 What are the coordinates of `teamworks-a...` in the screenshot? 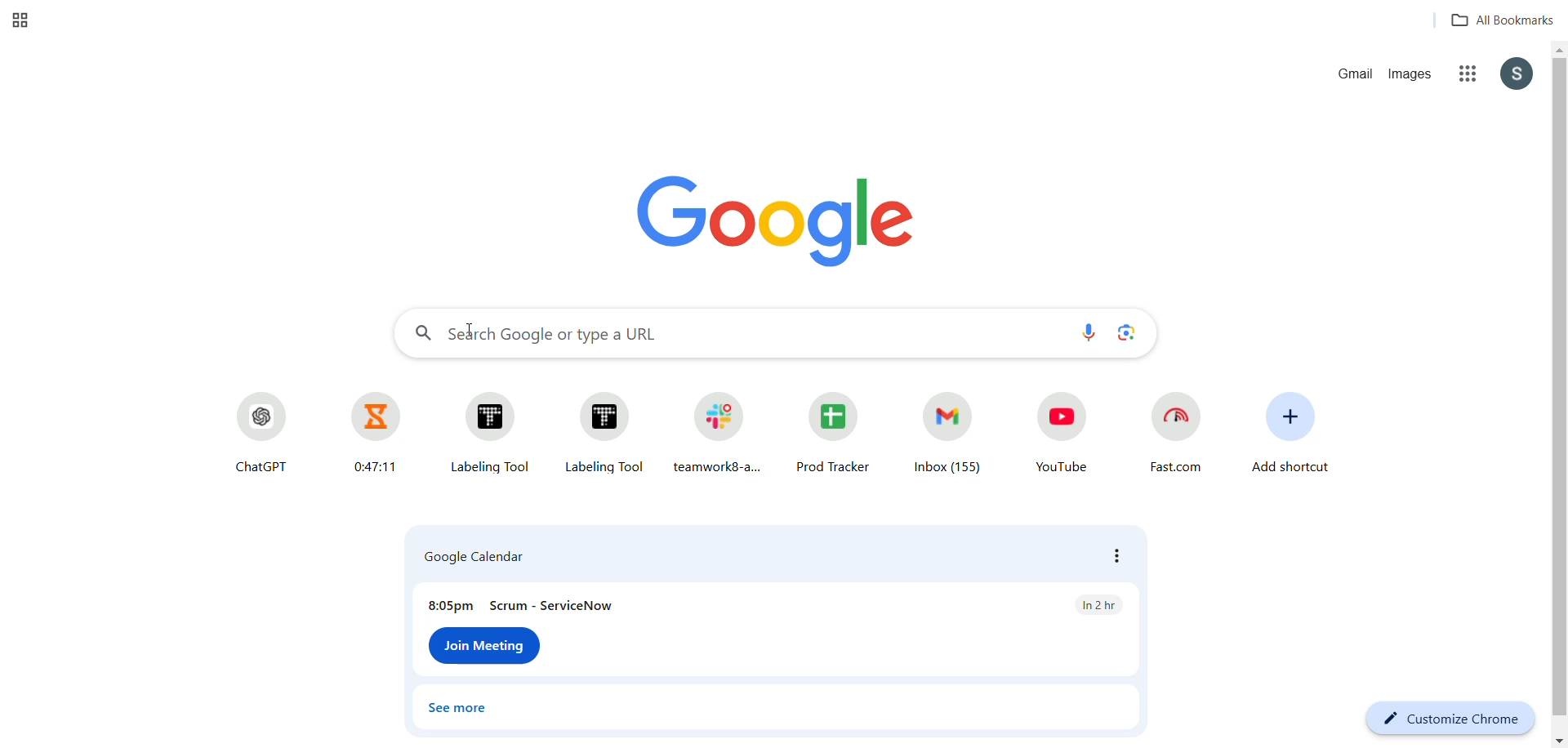 It's located at (717, 432).